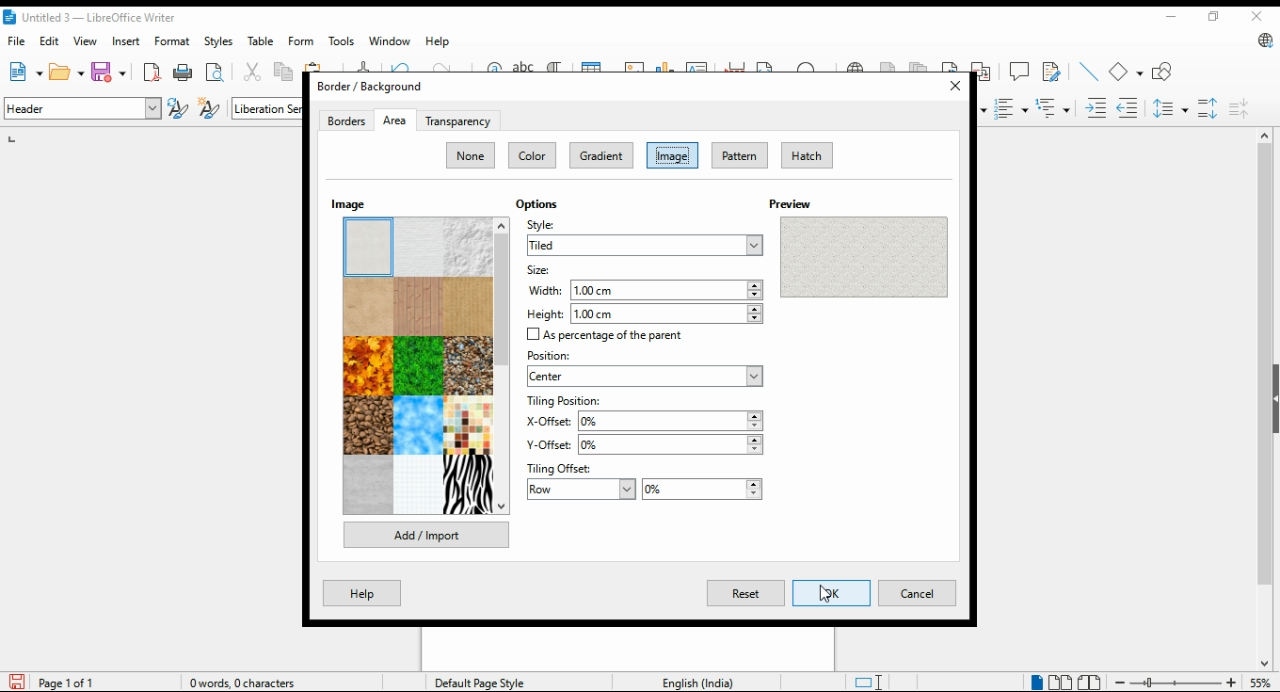 The height and width of the screenshot is (692, 1280). Describe the element at coordinates (67, 71) in the screenshot. I see `open` at that location.